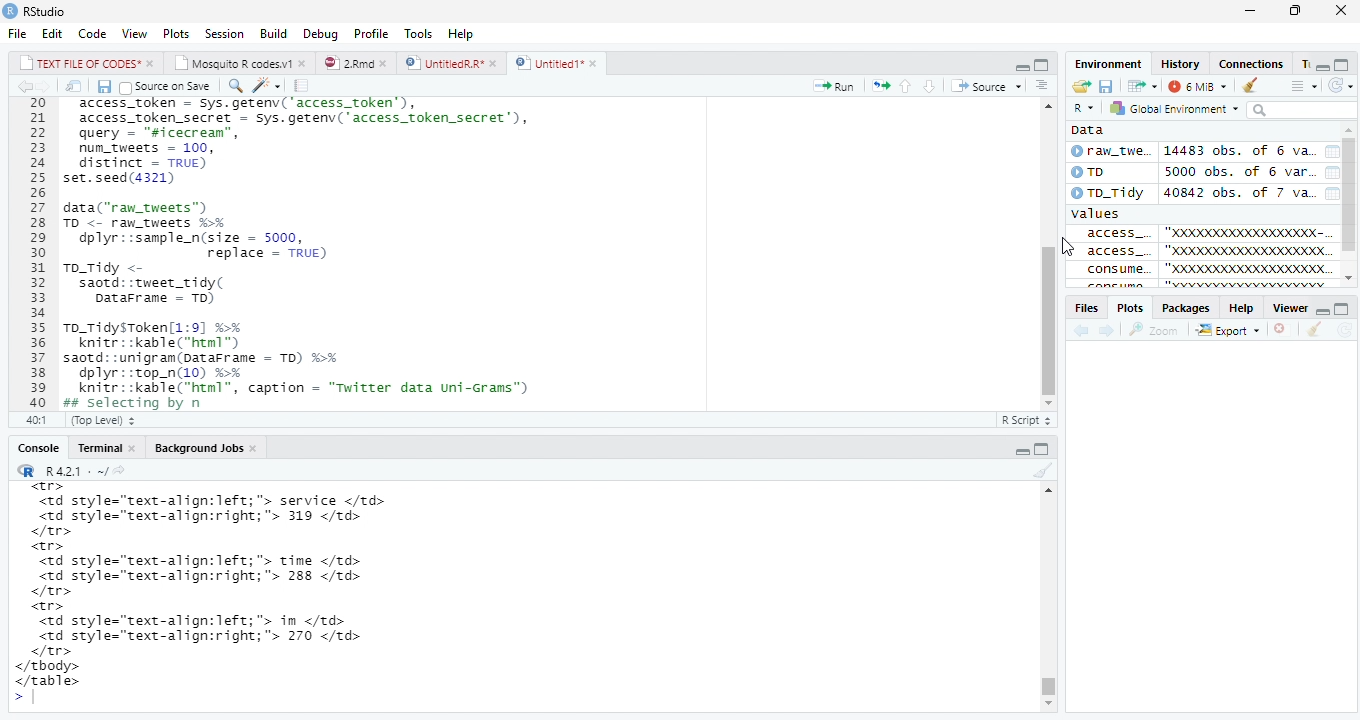 Image resolution: width=1360 pixels, height=720 pixels. What do you see at coordinates (1338, 61) in the screenshot?
I see `minimize/maximize` at bounding box center [1338, 61].